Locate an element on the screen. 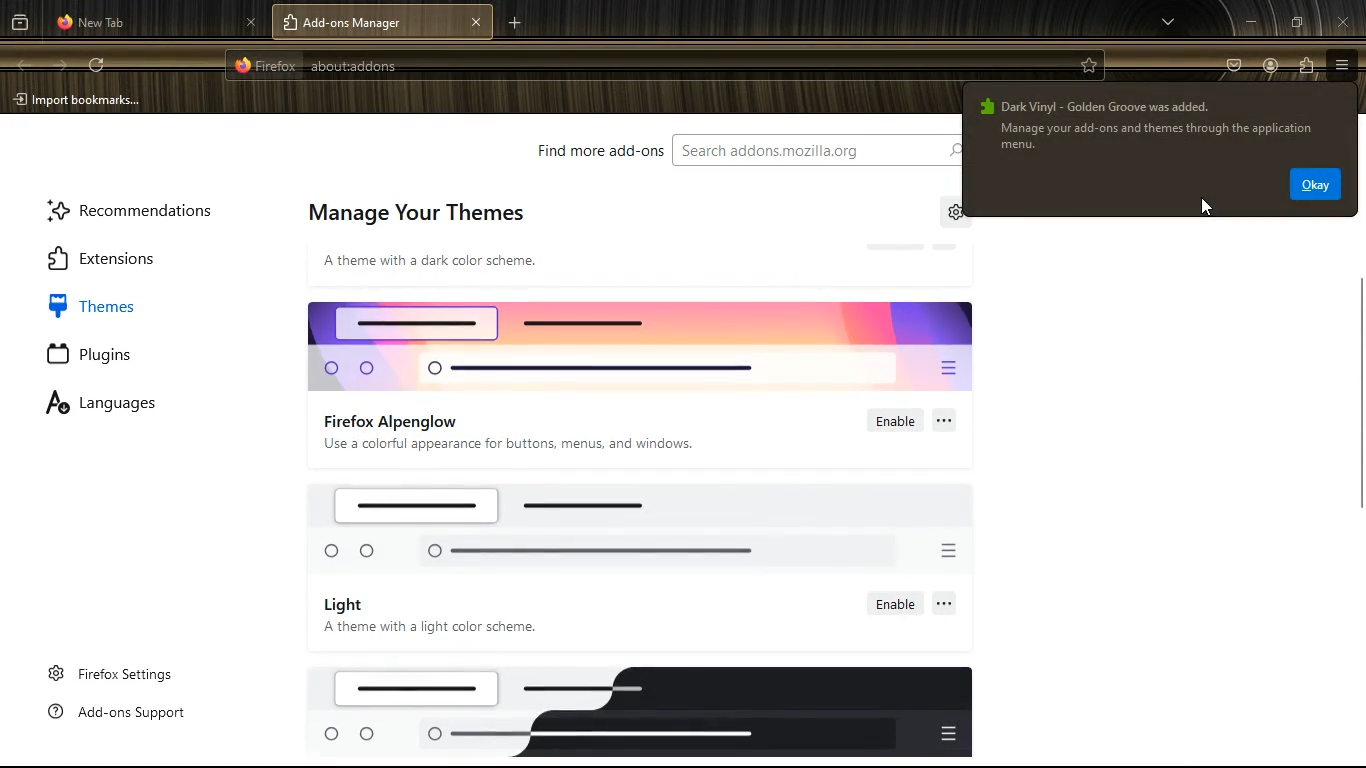  menu is located at coordinates (1342, 65).